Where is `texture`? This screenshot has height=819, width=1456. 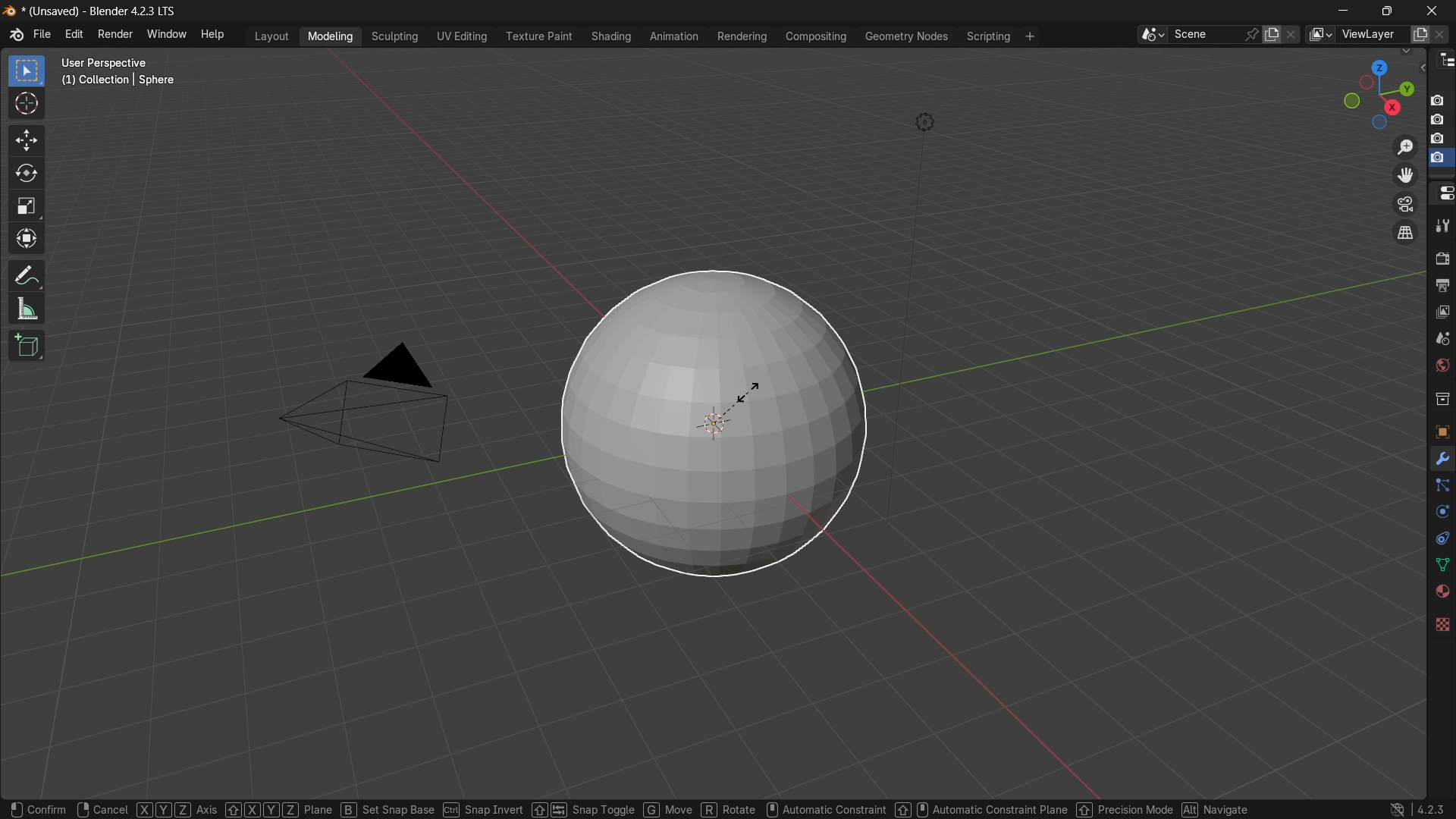
texture is located at coordinates (1442, 623).